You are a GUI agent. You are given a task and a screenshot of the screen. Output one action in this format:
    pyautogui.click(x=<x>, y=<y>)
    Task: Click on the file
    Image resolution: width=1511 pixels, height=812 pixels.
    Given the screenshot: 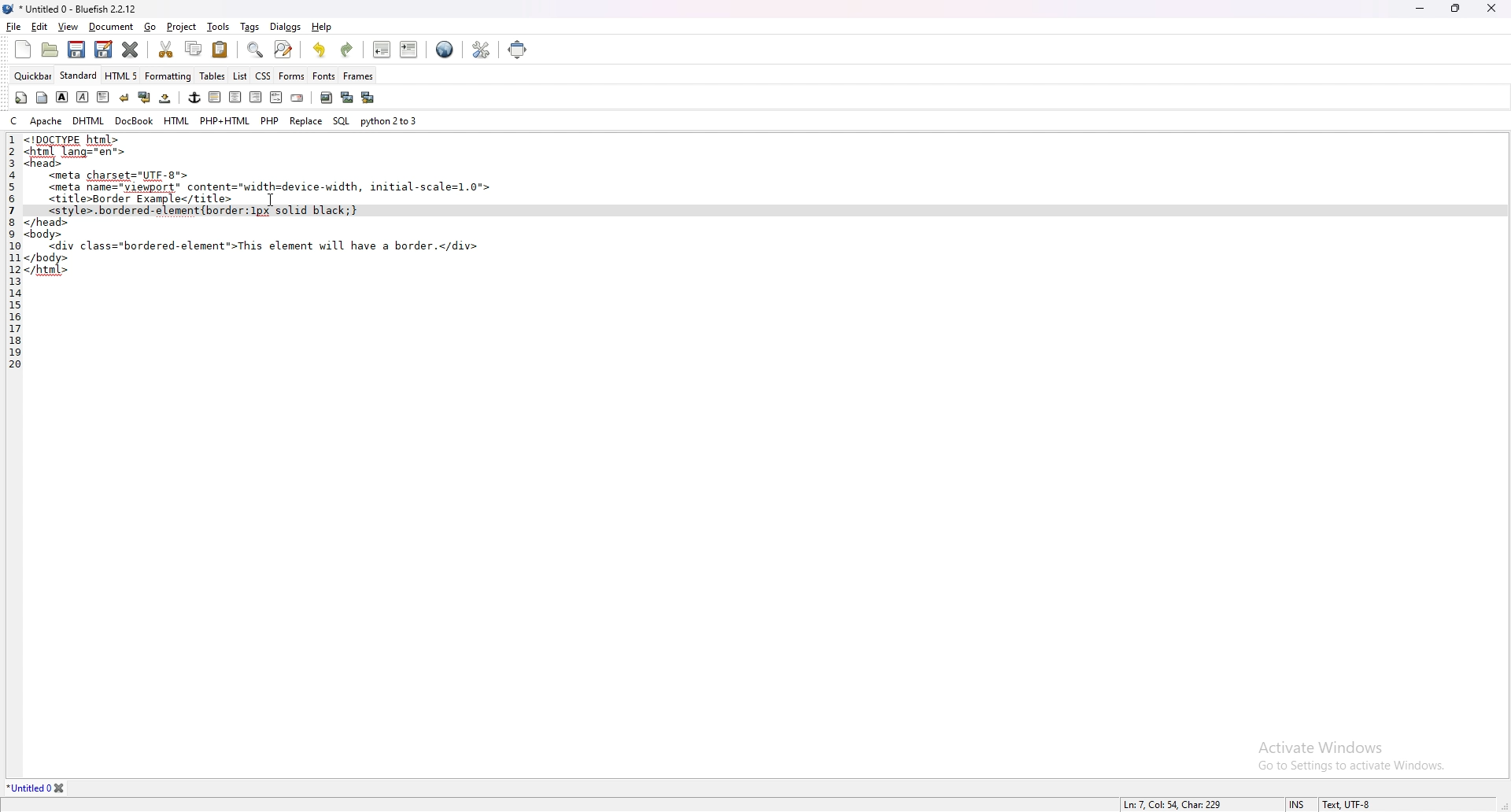 What is the action you would take?
    pyautogui.click(x=13, y=27)
    